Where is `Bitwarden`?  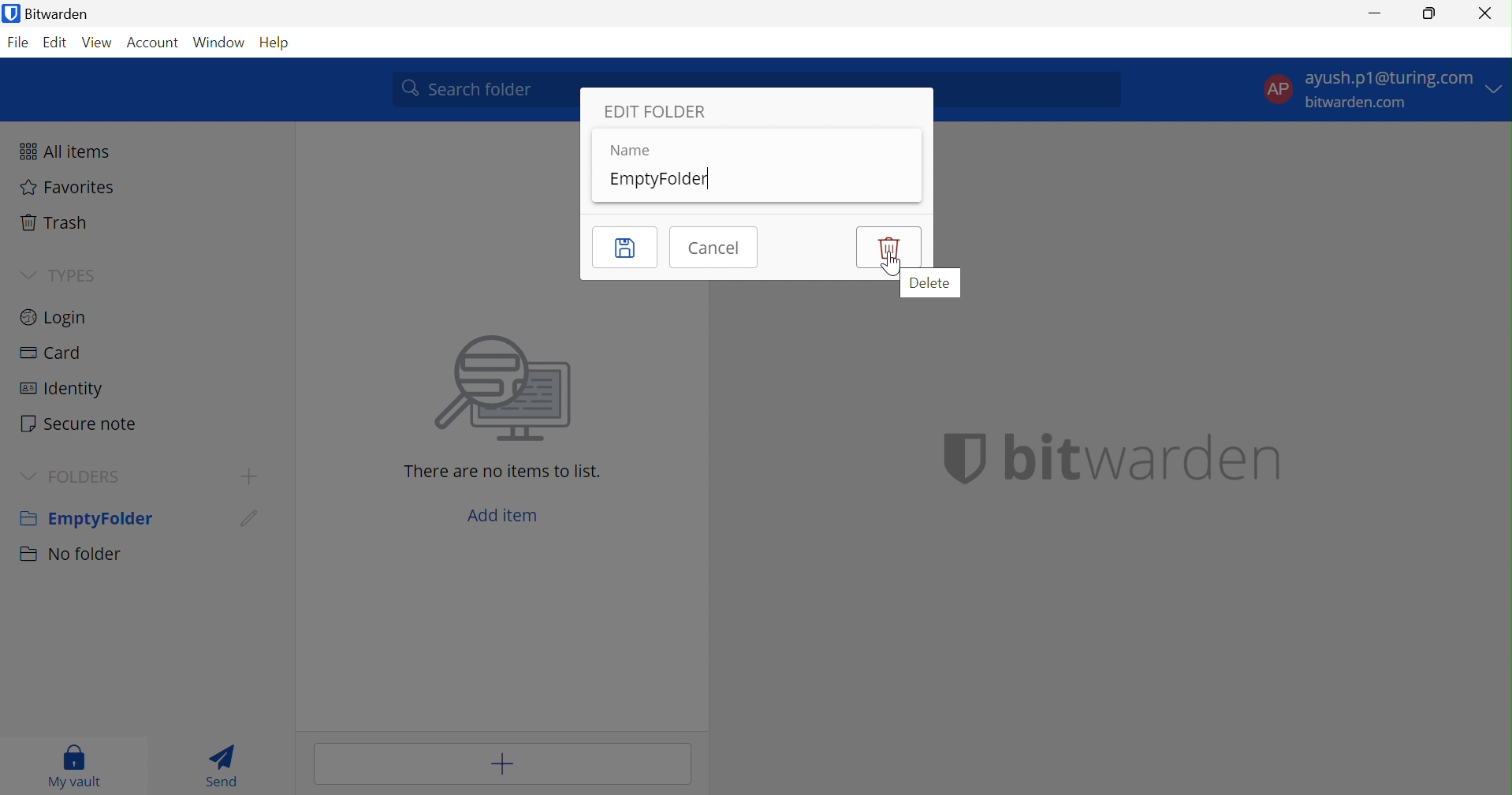
Bitwarden is located at coordinates (48, 13).